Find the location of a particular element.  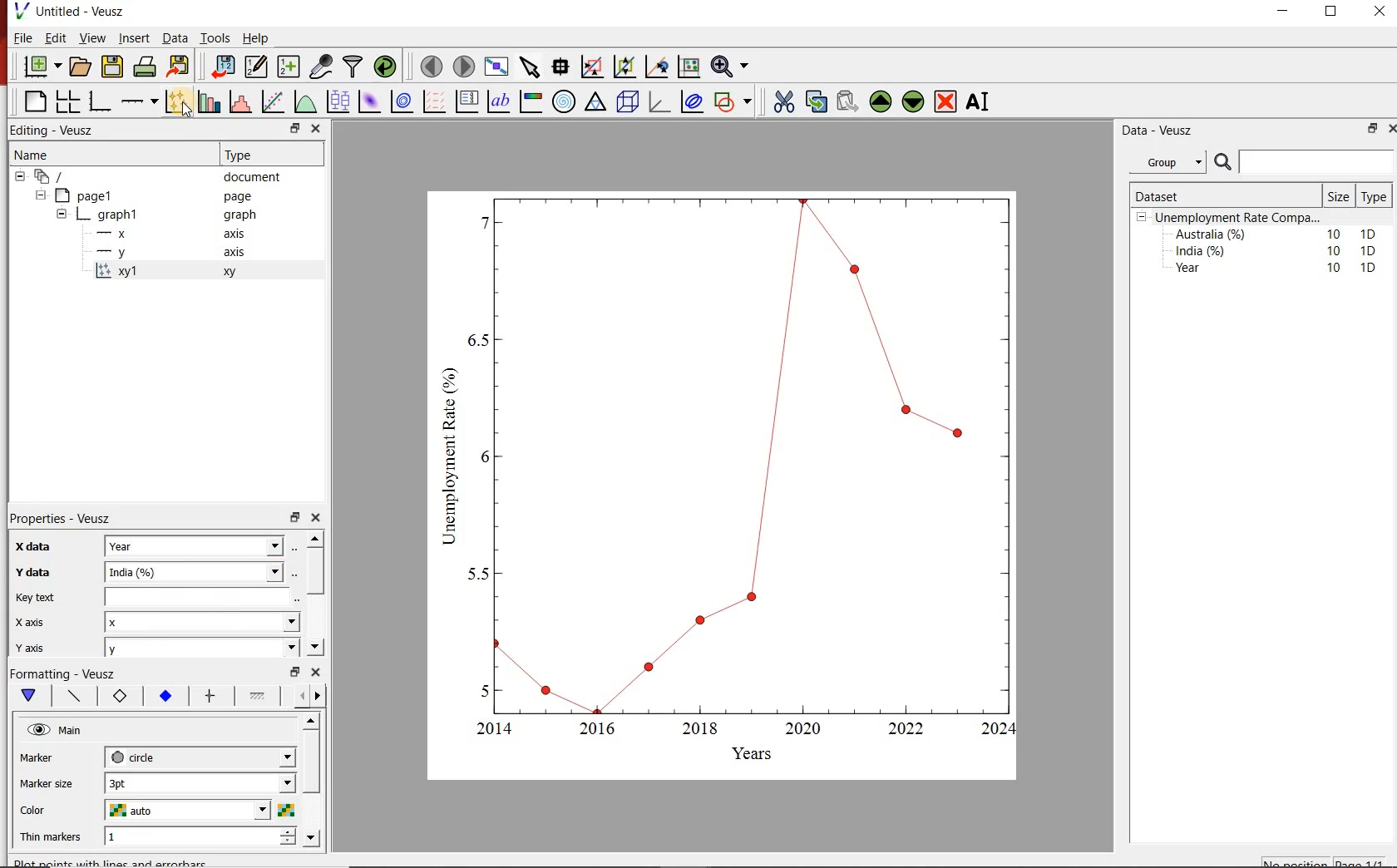

plot vector field is located at coordinates (433, 101).